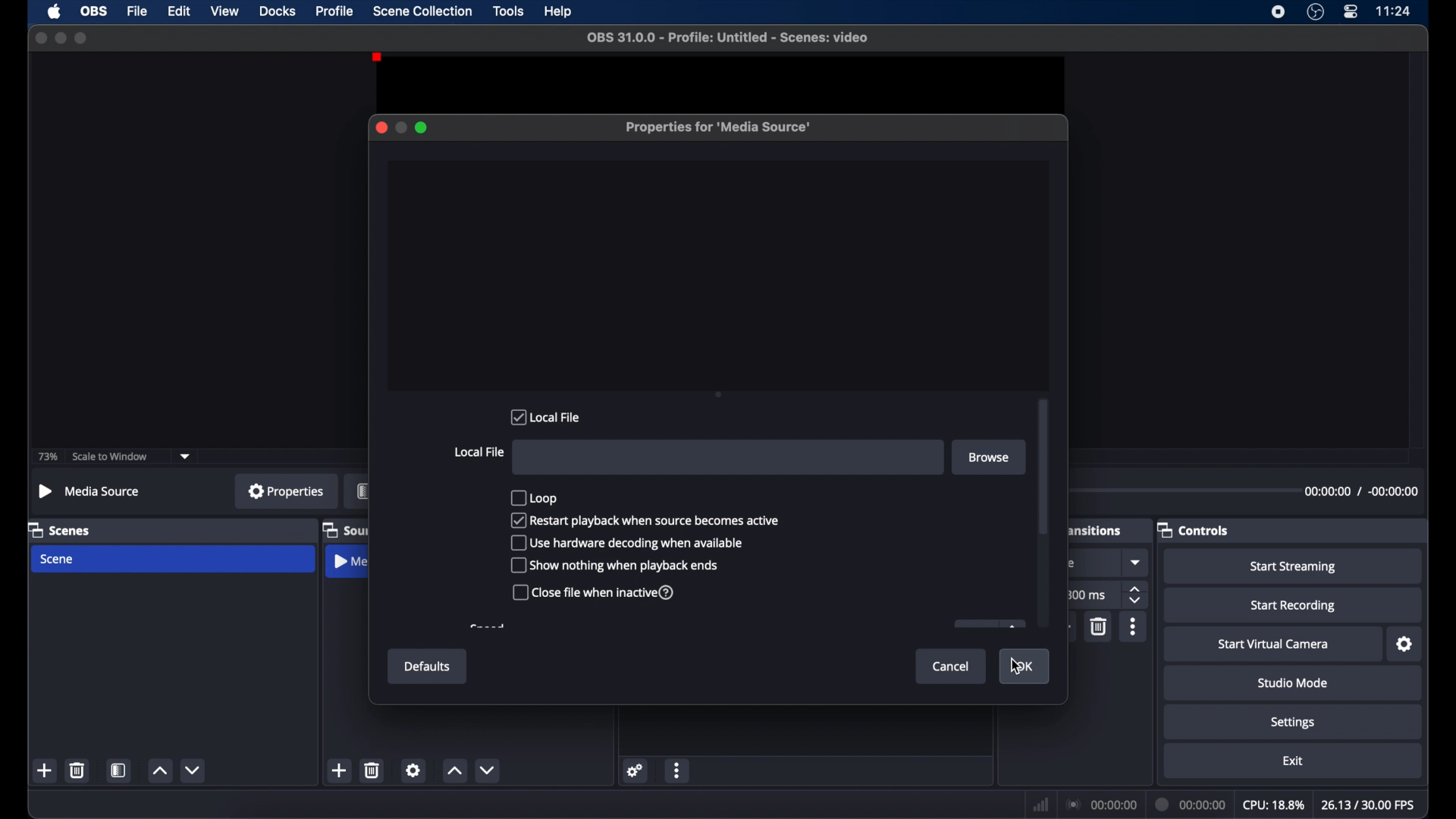 The height and width of the screenshot is (819, 1456). Describe the element at coordinates (1295, 761) in the screenshot. I see `exit` at that location.